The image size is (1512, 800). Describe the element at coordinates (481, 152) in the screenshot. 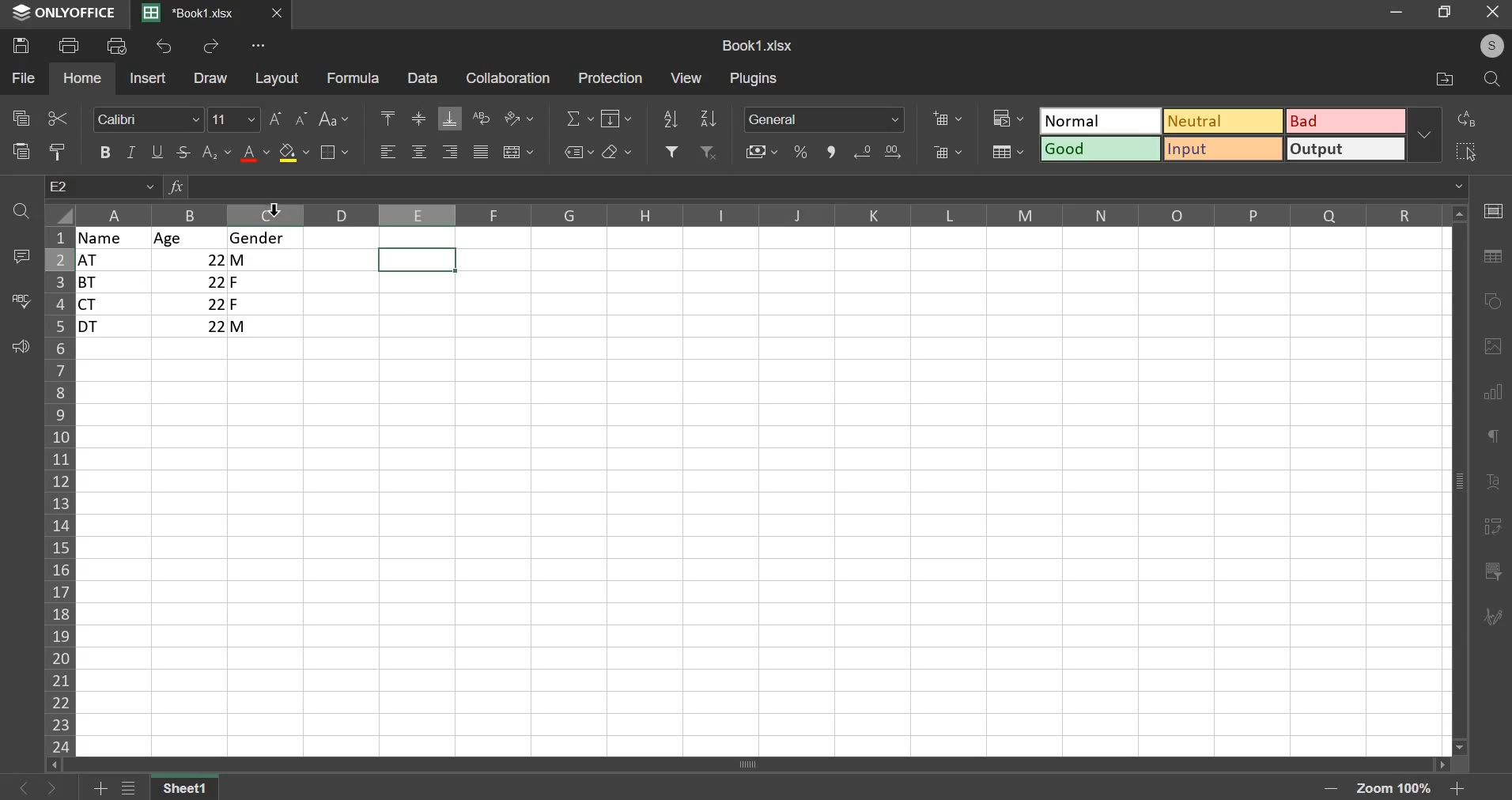

I see `justified` at that location.